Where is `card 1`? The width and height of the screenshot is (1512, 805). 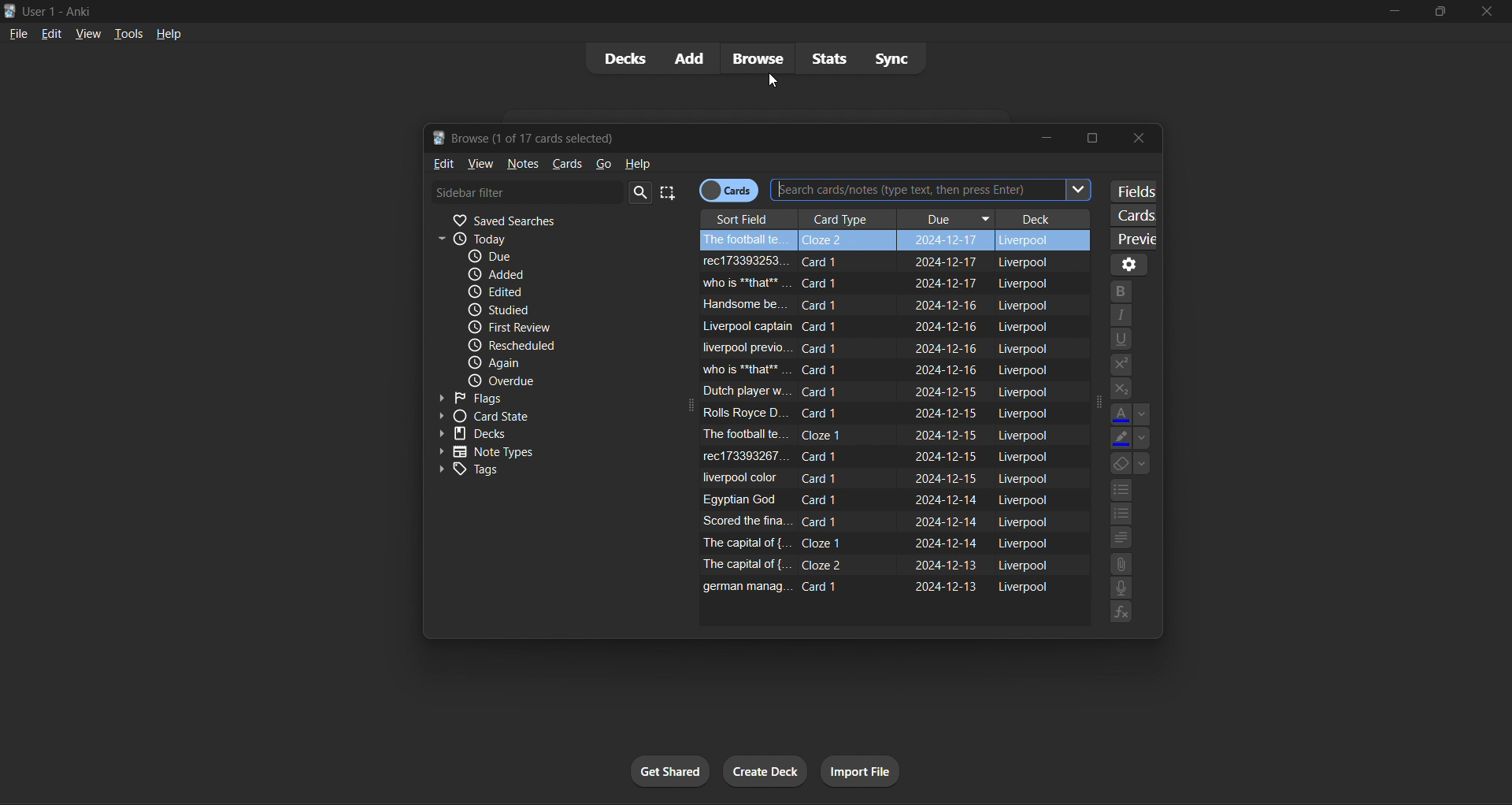
card 1 is located at coordinates (831, 522).